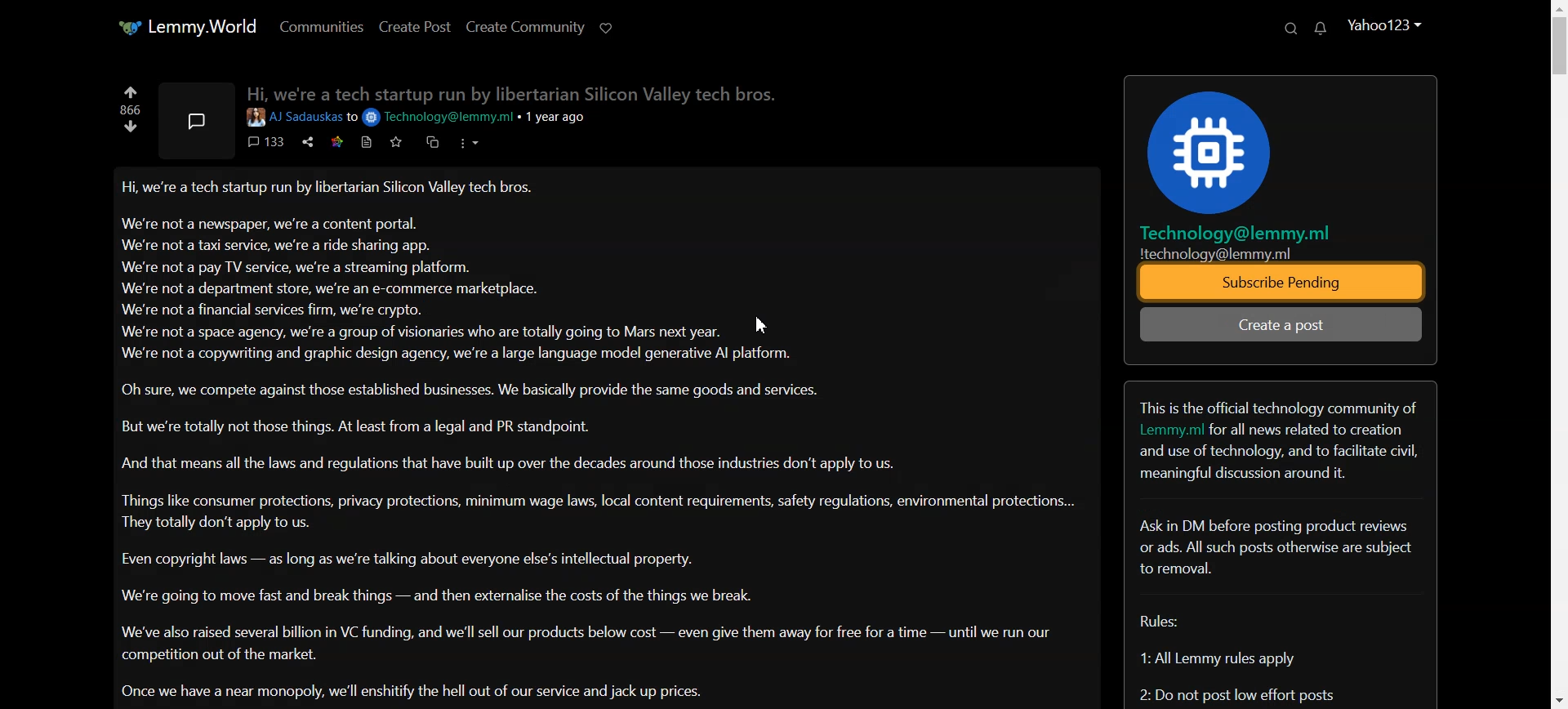 Image resolution: width=1568 pixels, height=709 pixels. Describe the element at coordinates (309, 143) in the screenshot. I see `share` at that location.